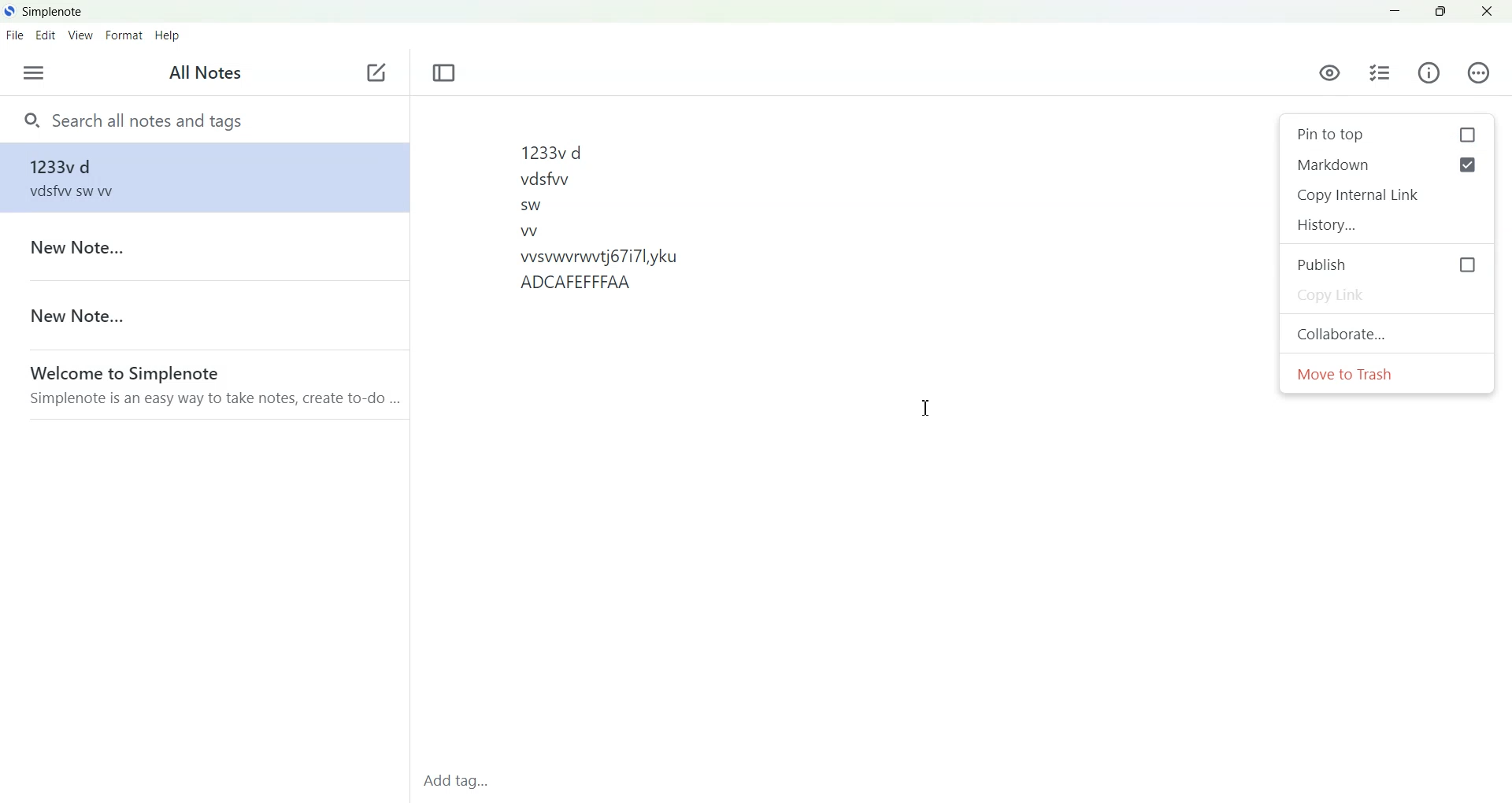 The image size is (1512, 803). What do you see at coordinates (125, 35) in the screenshot?
I see `Format` at bounding box center [125, 35].